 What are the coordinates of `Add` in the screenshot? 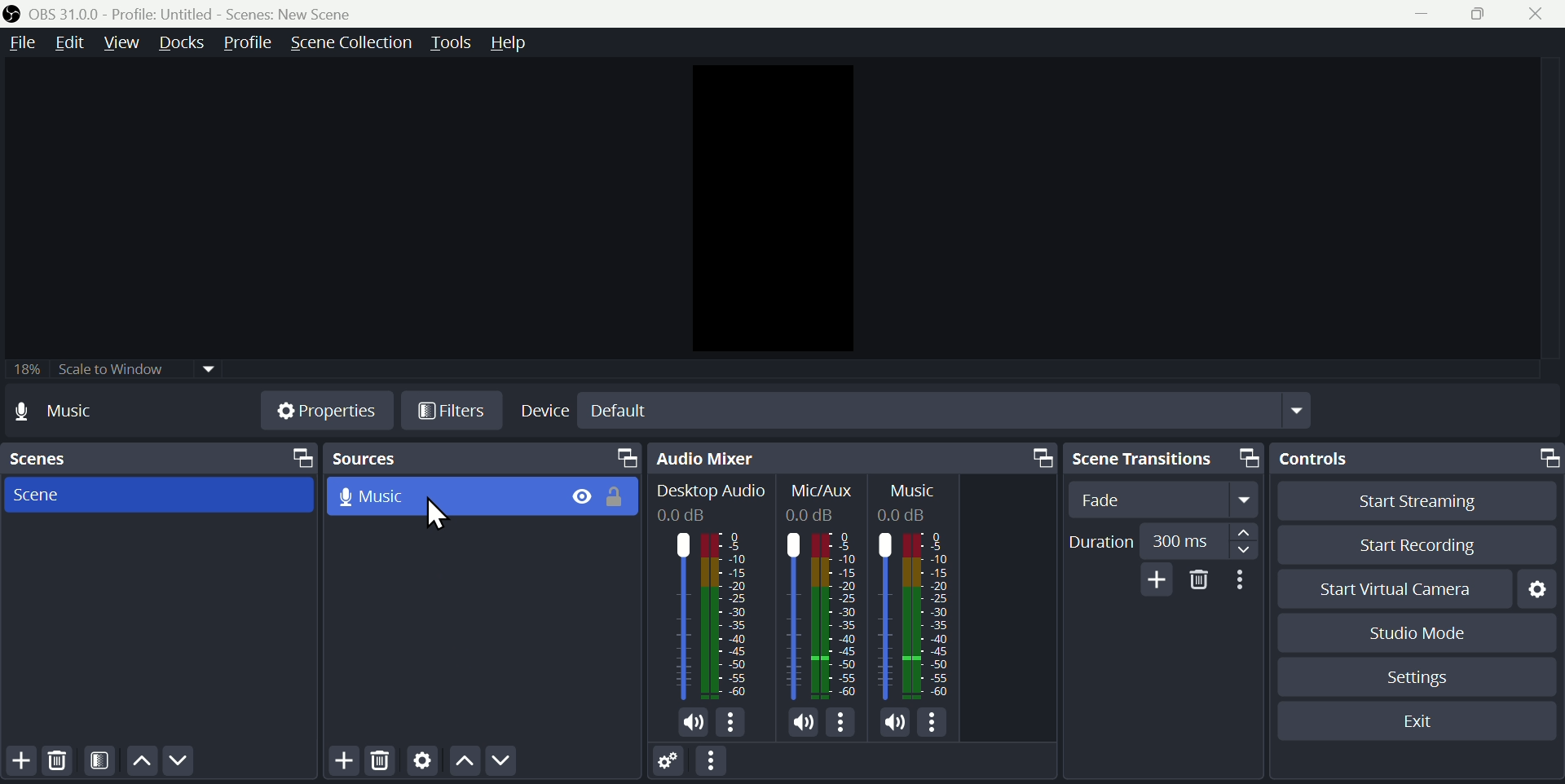 It's located at (342, 763).